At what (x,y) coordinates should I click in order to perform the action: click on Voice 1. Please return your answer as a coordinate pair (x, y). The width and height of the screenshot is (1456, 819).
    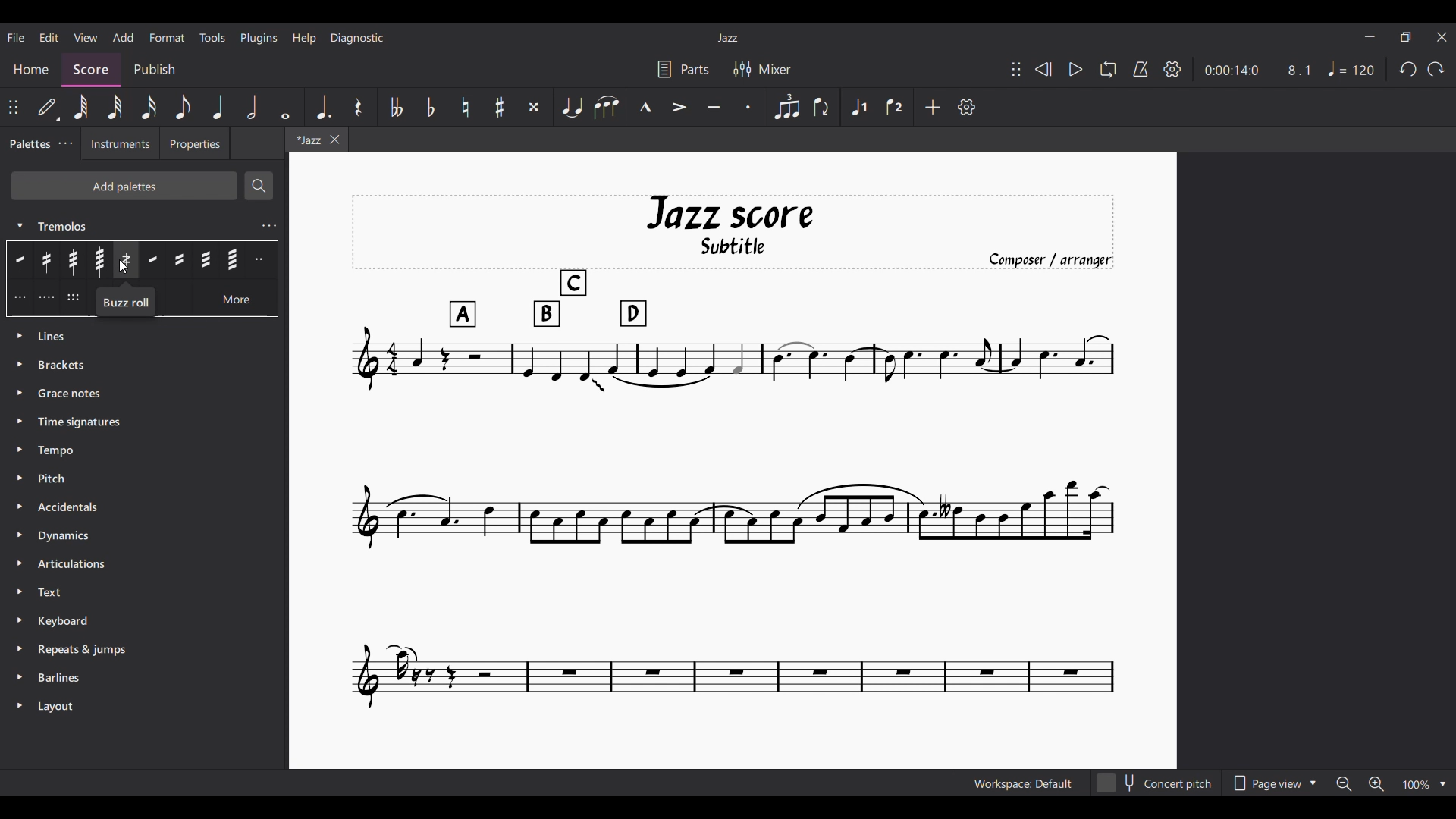
    Looking at the image, I should click on (858, 106).